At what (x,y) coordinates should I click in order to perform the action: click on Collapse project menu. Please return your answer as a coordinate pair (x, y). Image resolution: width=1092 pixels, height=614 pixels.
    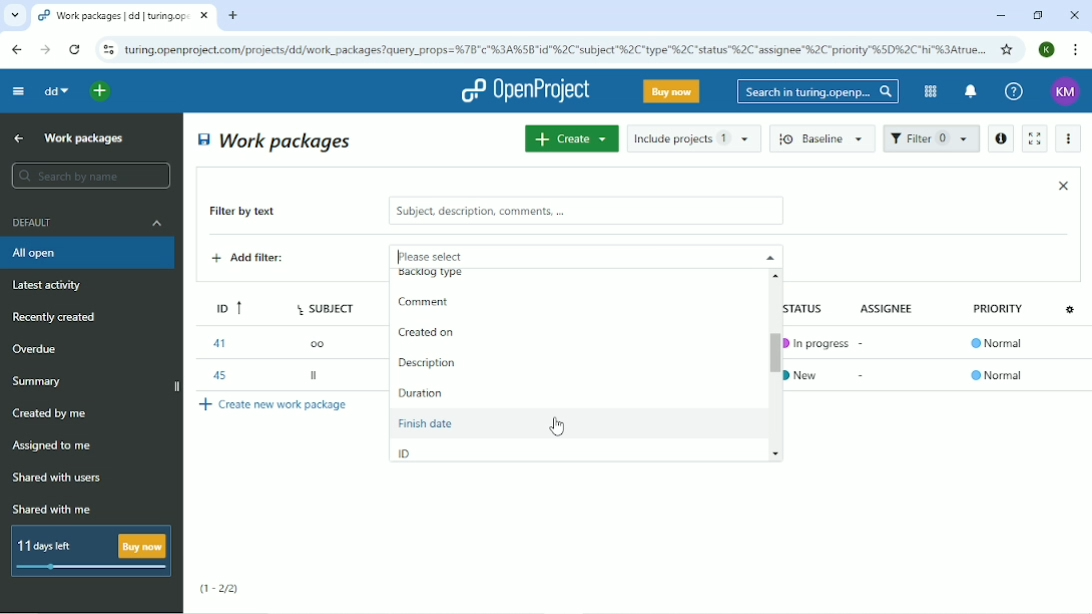
    Looking at the image, I should click on (17, 90).